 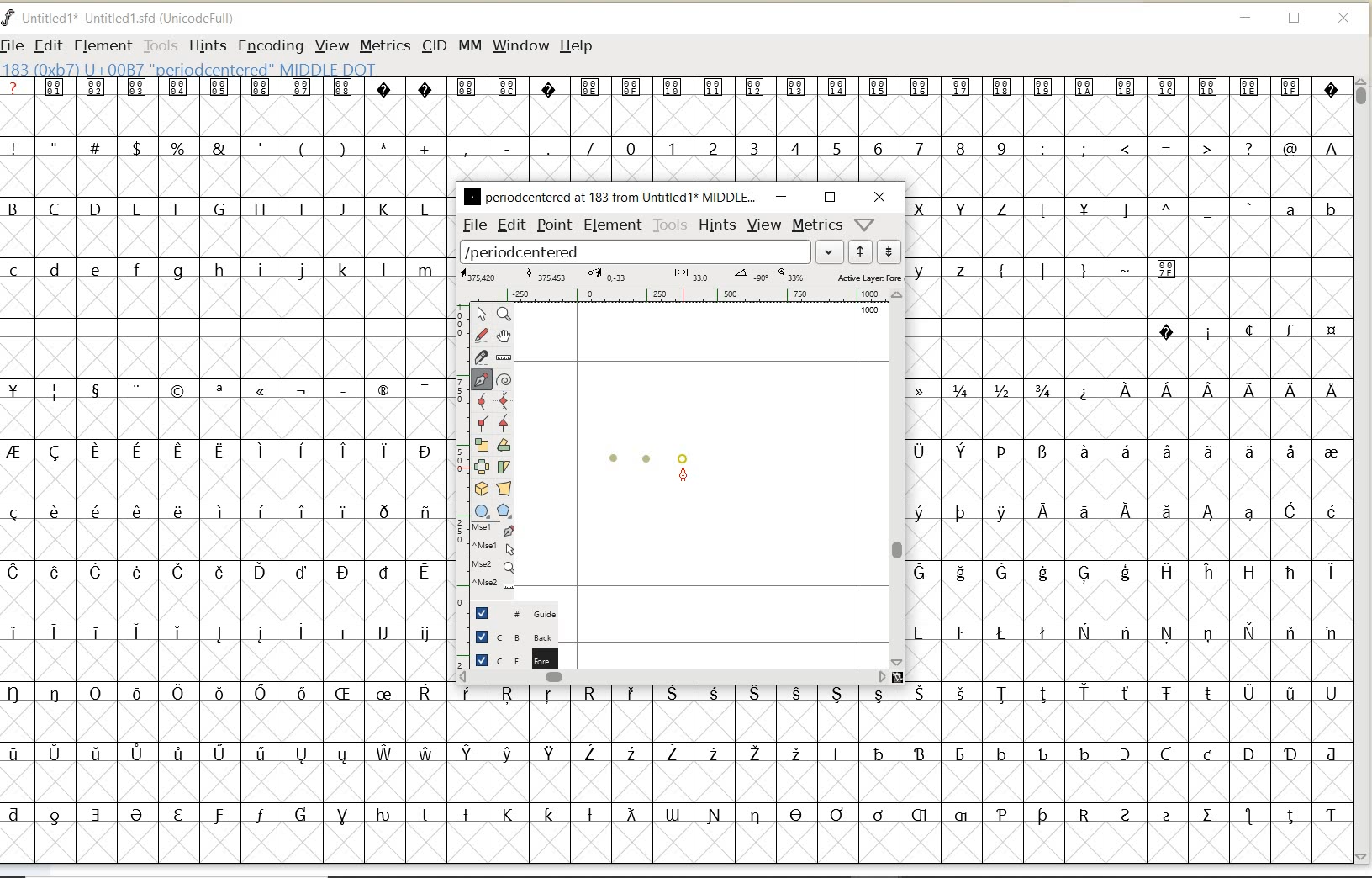 I want to click on , so click(x=1143, y=211).